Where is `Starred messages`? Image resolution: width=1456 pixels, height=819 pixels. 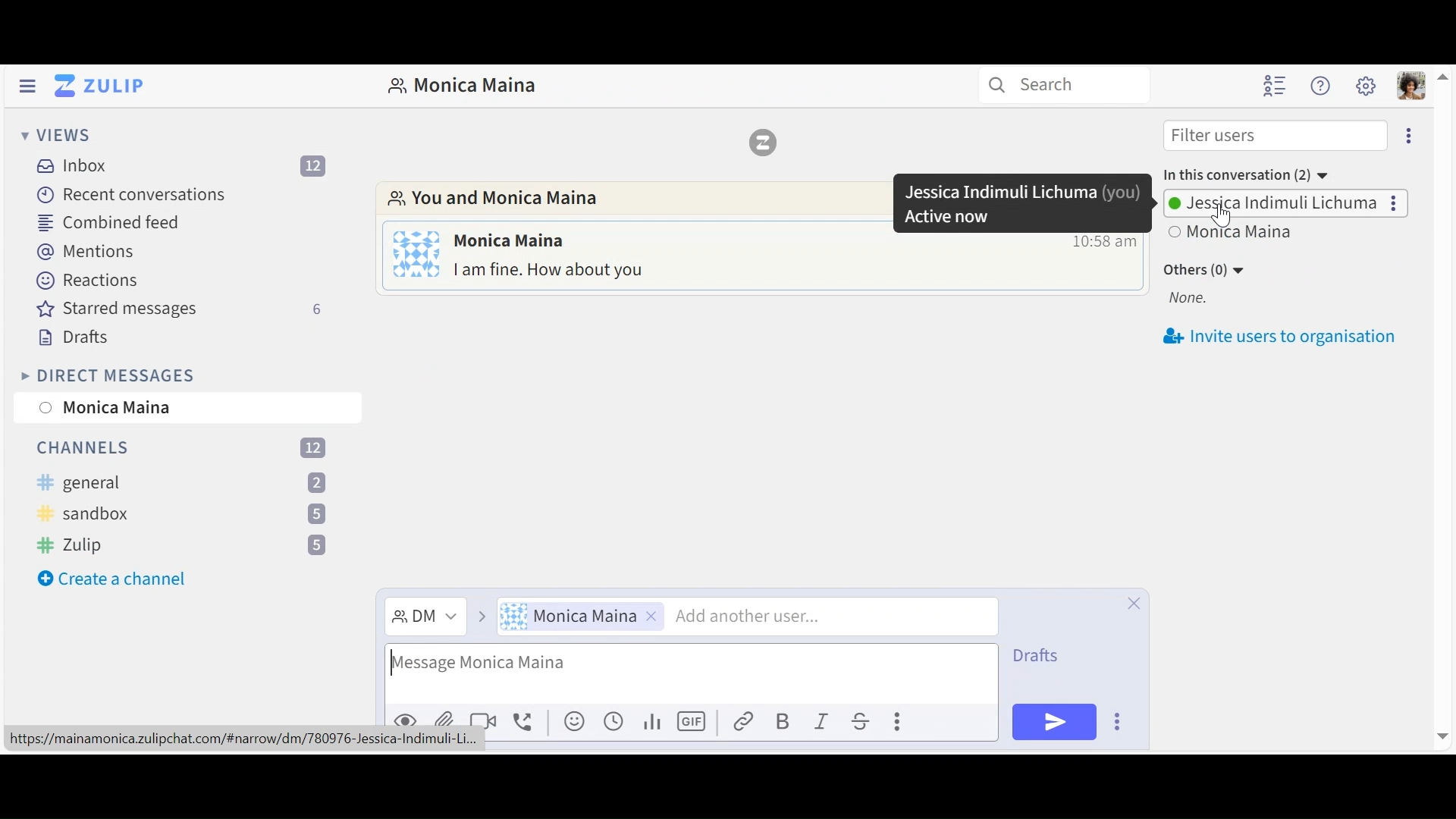
Starred messages is located at coordinates (177, 308).